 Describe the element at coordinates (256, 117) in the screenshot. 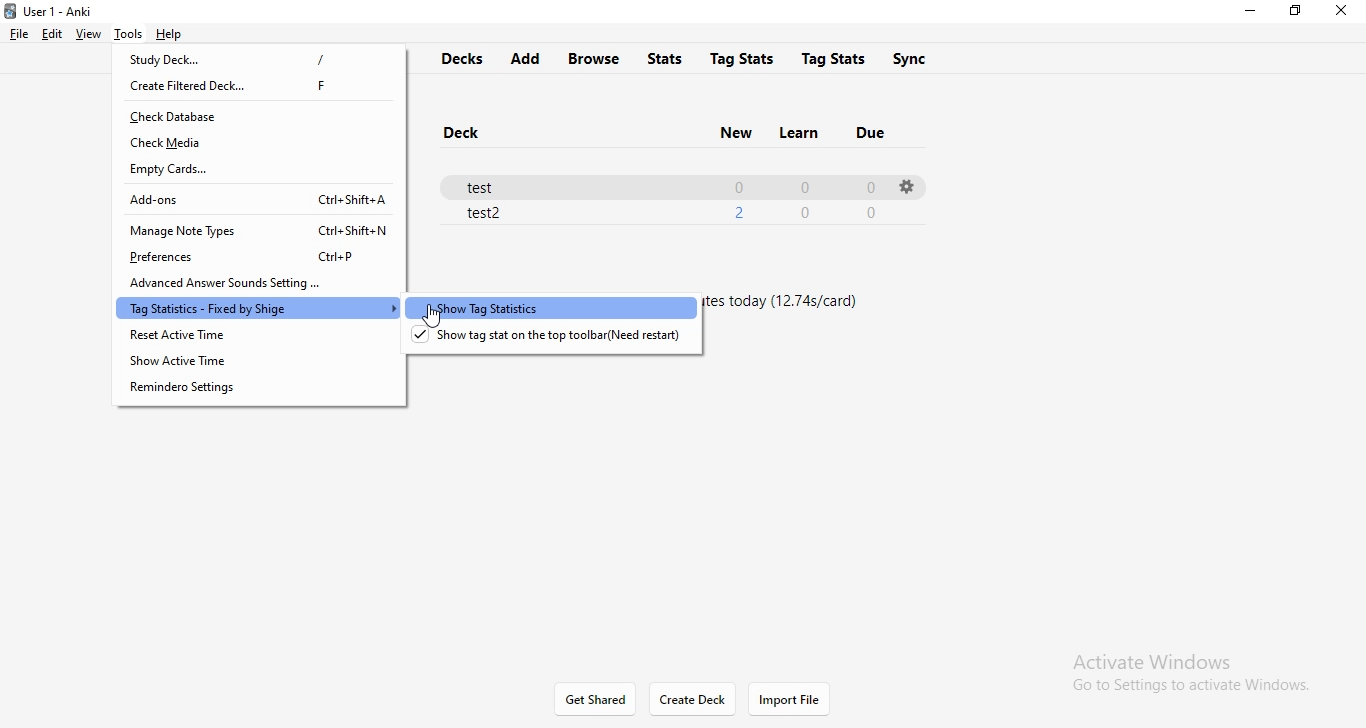

I see `check database` at that location.